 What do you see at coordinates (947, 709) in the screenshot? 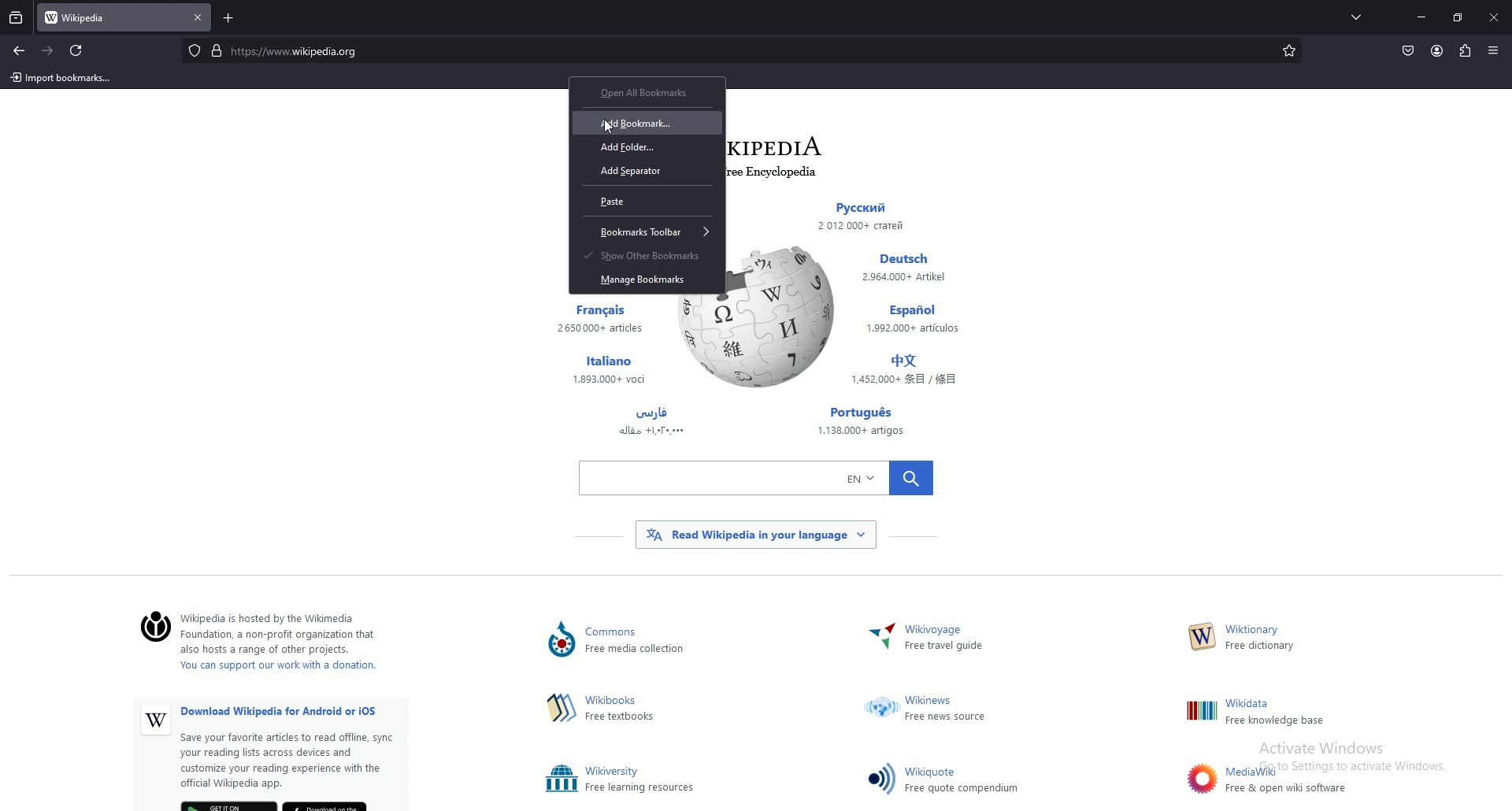
I see `` at bounding box center [947, 709].